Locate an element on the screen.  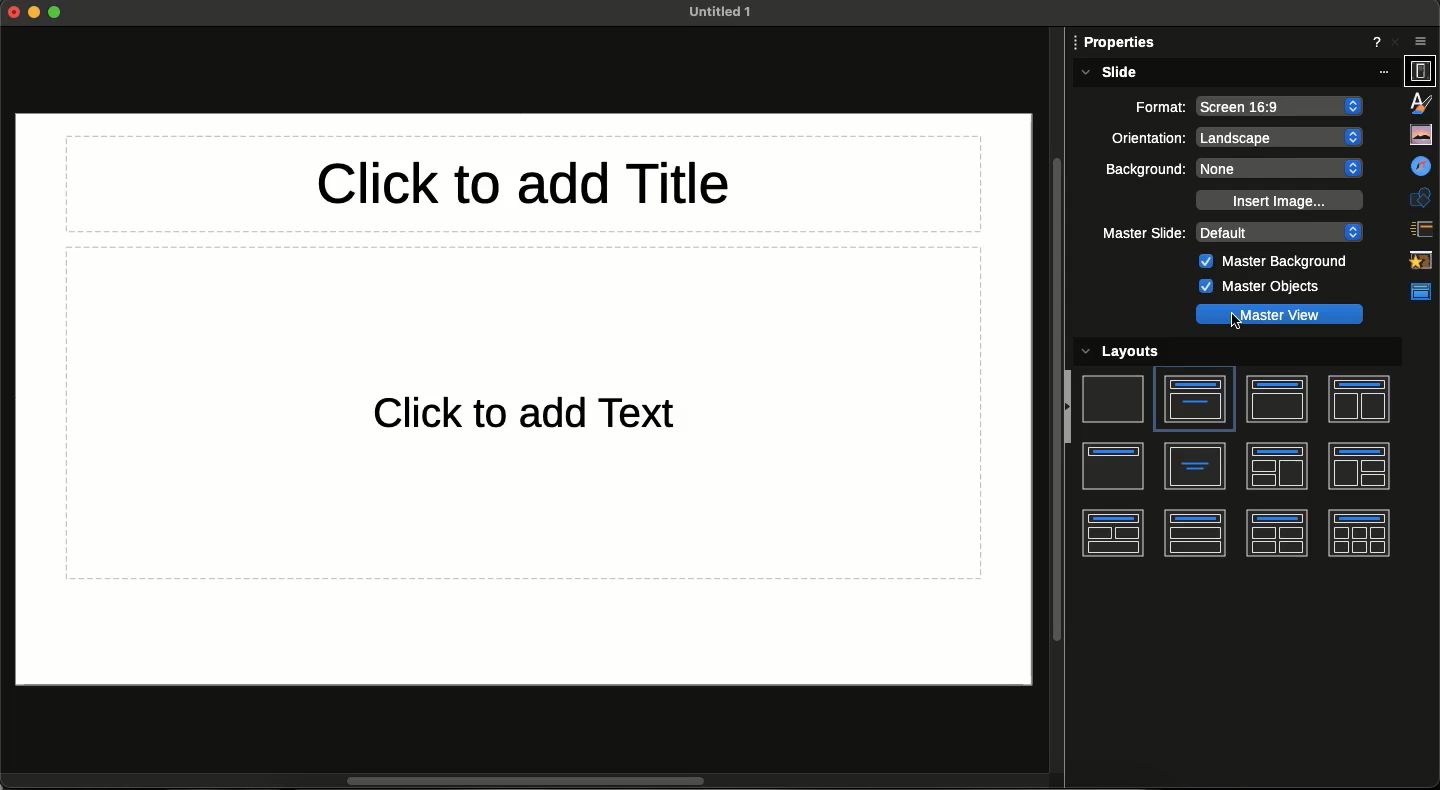
Screen 16:9 is located at coordinates (1280, 107).